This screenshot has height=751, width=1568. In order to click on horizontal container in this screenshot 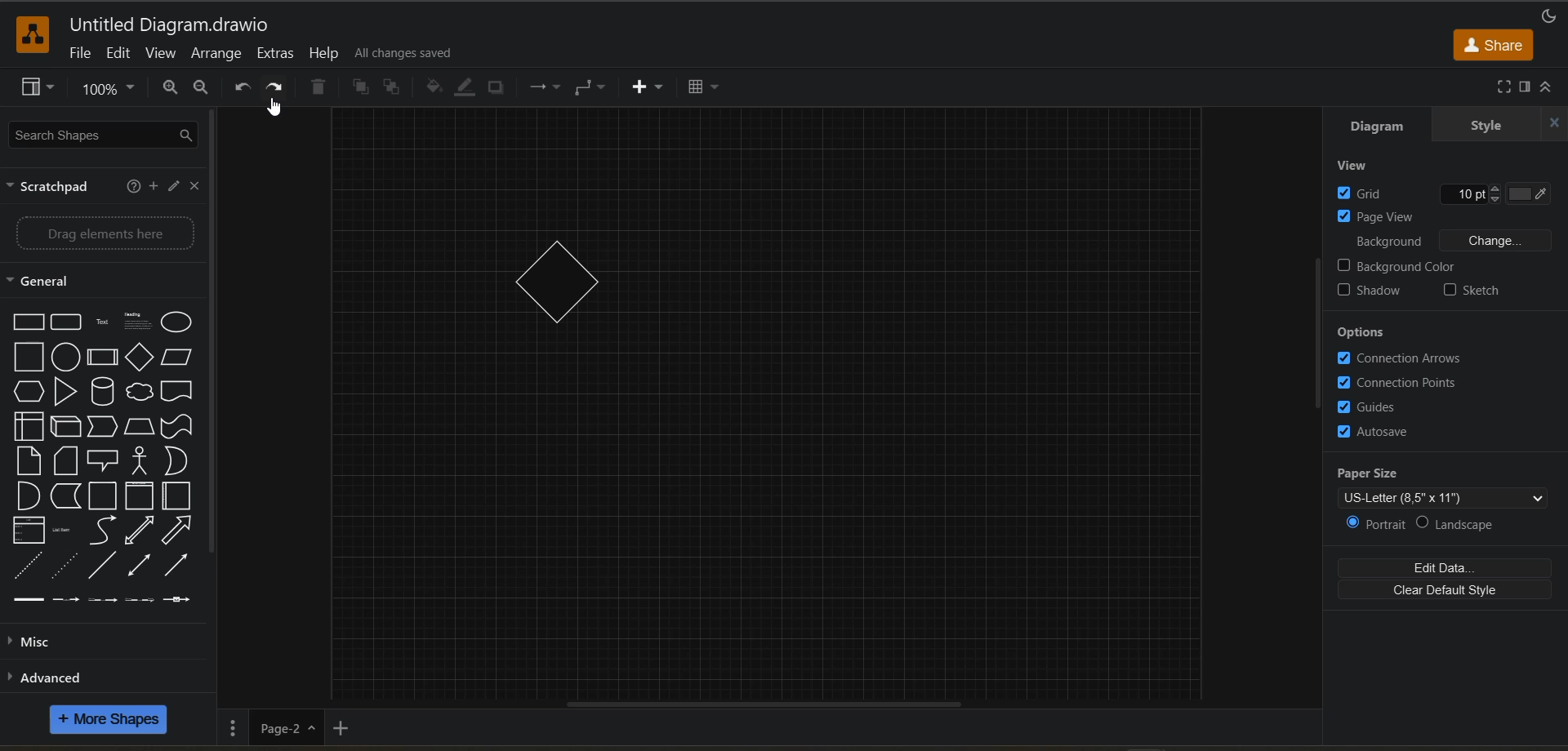, I will do `click(177, 496)`.